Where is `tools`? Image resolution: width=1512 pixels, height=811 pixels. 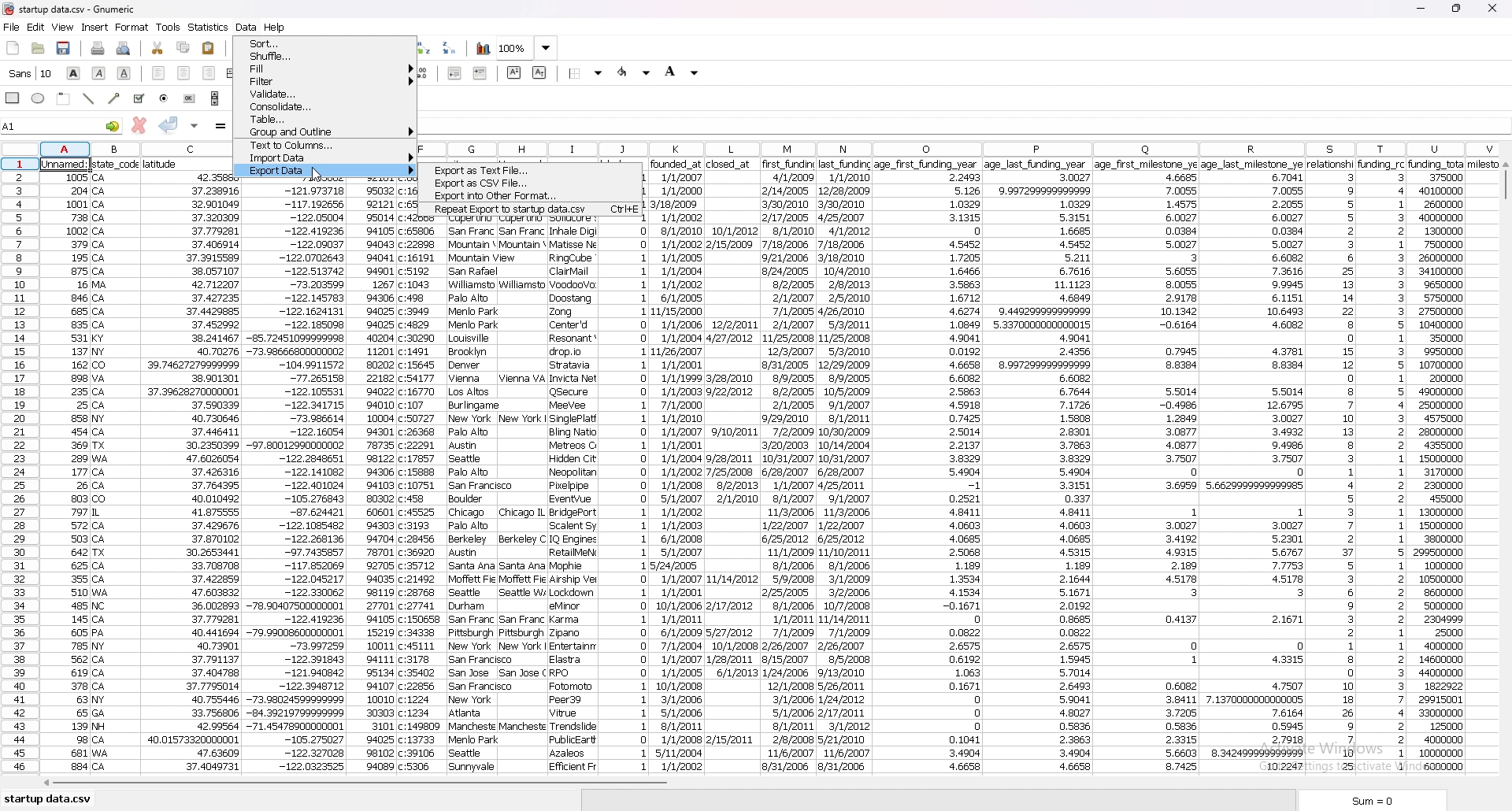 tools is located at coordinates (169, 27).